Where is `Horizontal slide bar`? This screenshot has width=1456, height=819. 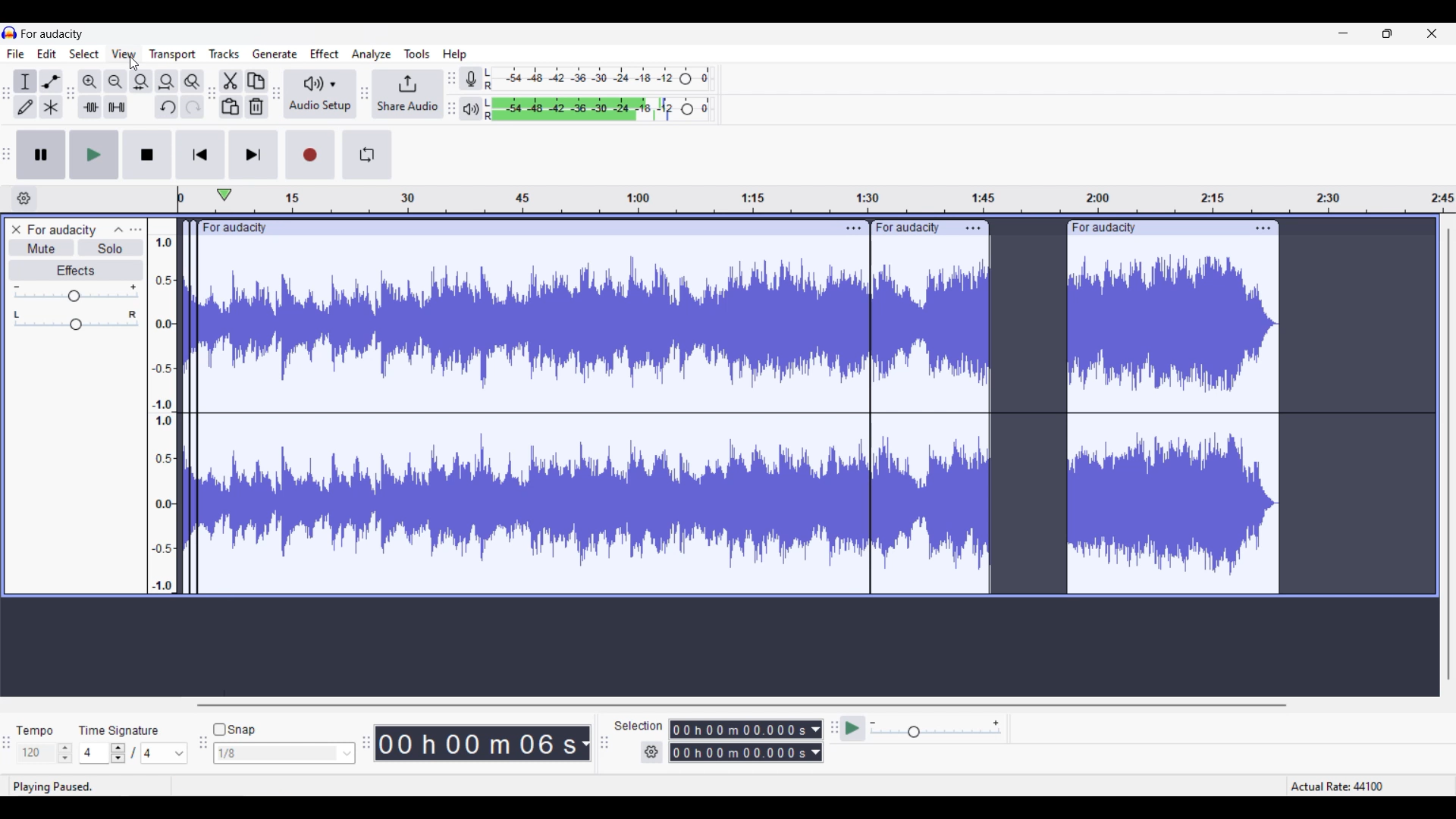
Horizontal slide bar is located at coordinates (739, 705).